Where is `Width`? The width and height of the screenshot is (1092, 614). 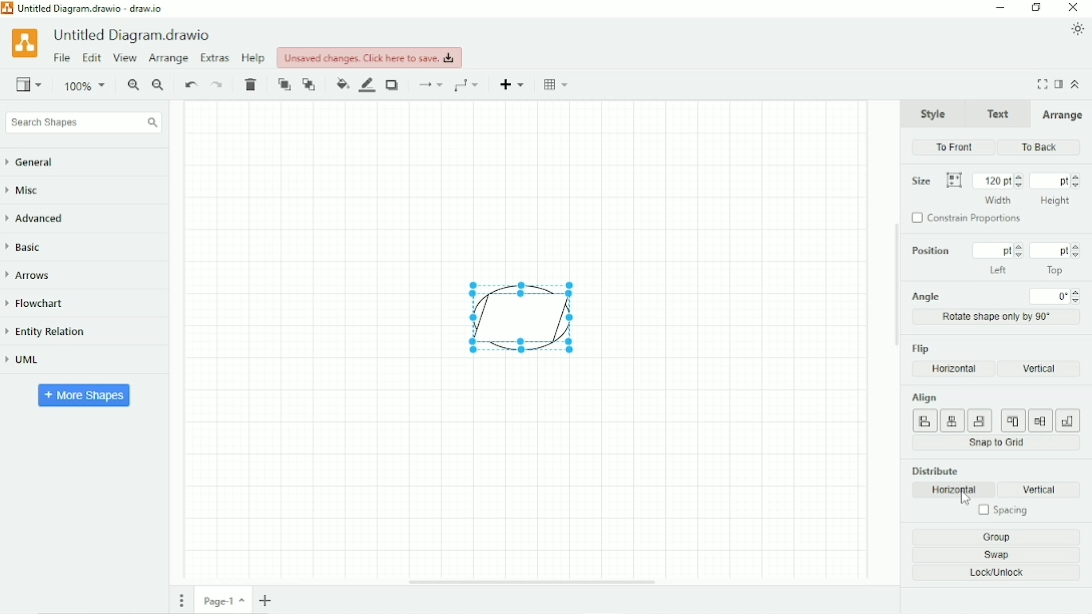
Width is located at coordinates (998, 187).